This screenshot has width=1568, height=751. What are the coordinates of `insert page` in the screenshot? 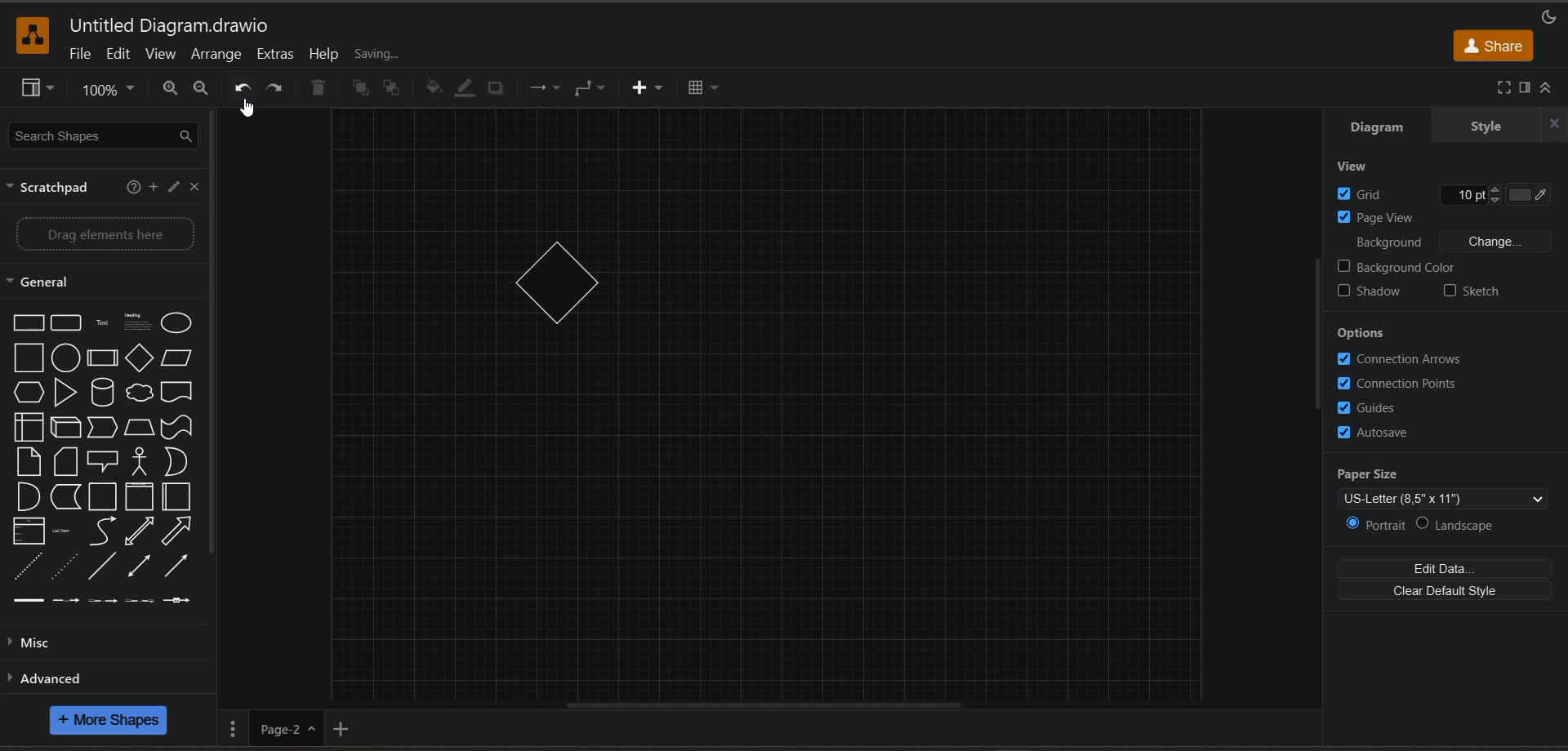 It's located at (344, 729).